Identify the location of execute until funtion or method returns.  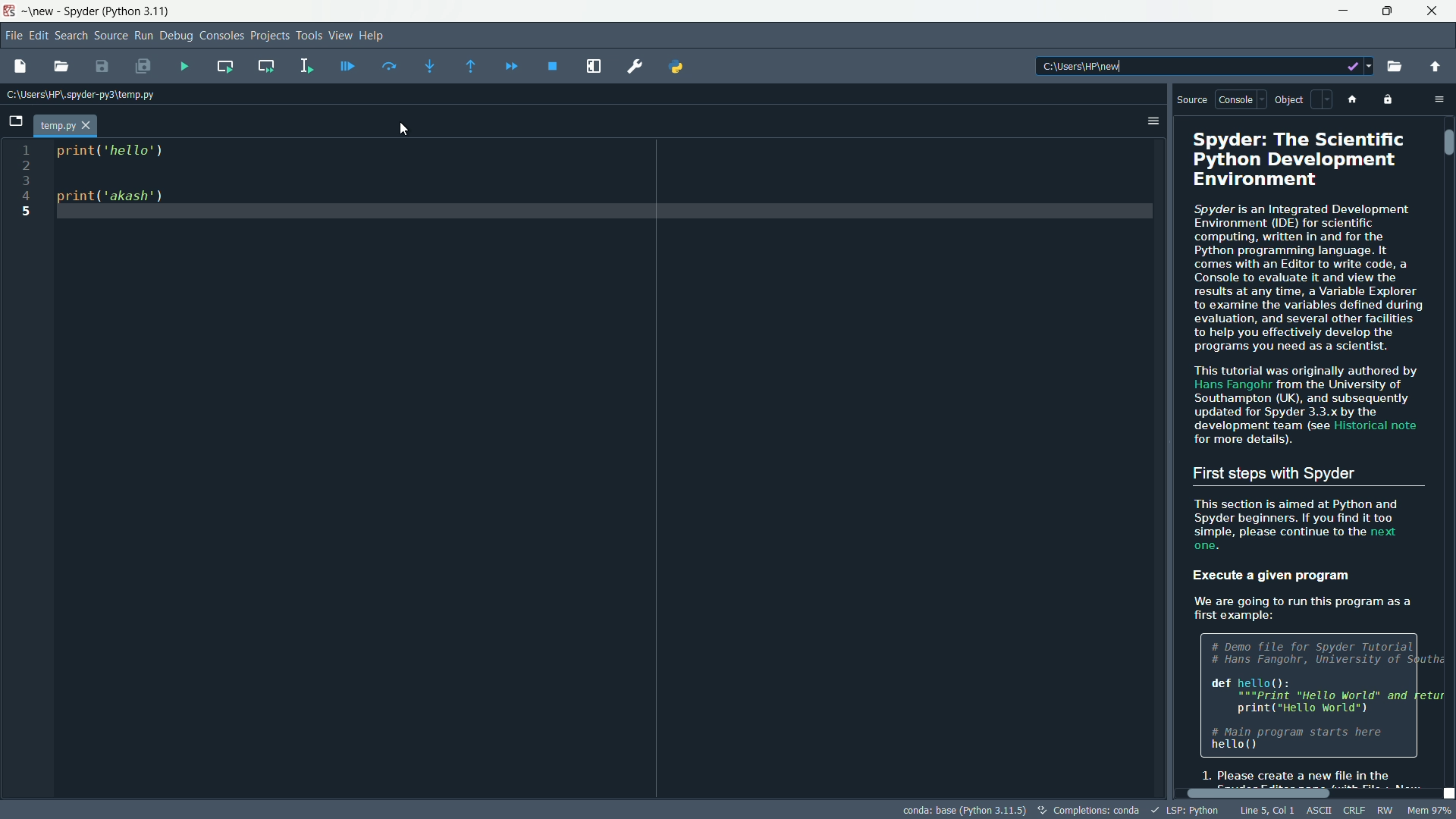
(471, 67).